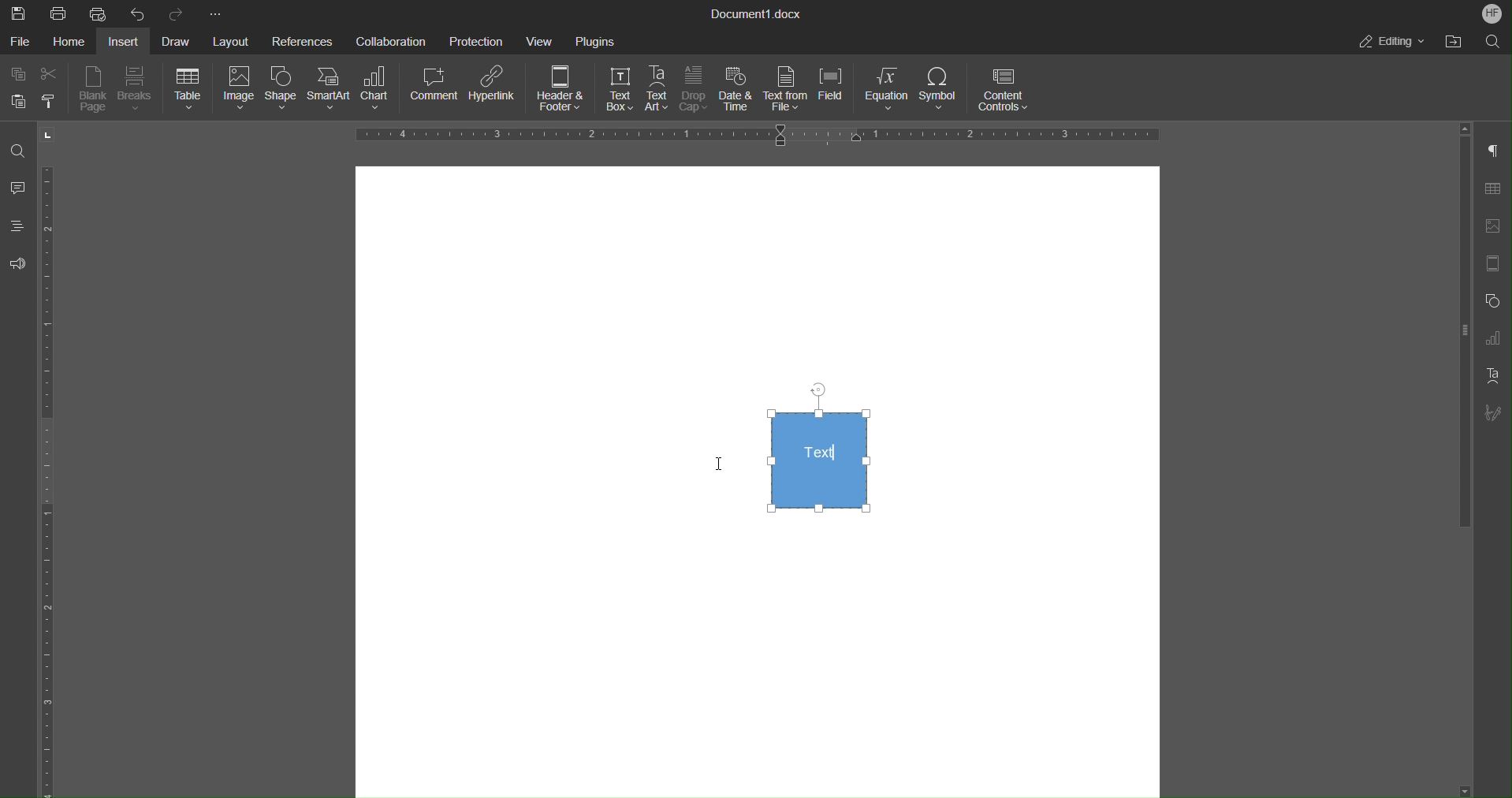 This screenshot has width=1512, height=798. I want to click on Hyperlink, so click(495, 91).